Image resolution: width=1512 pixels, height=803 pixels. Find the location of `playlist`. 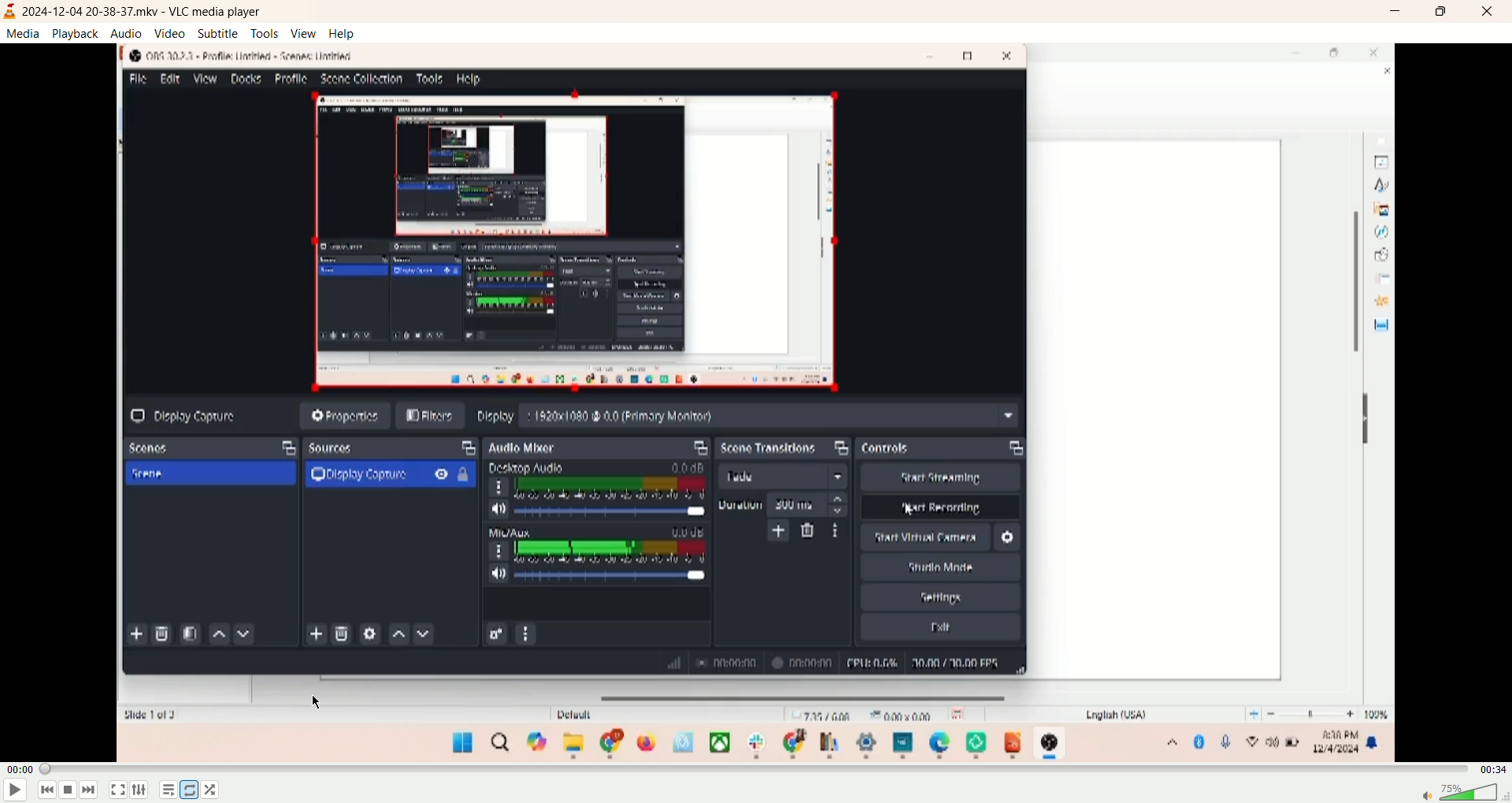

playlist is located at coordinates (169, 790).